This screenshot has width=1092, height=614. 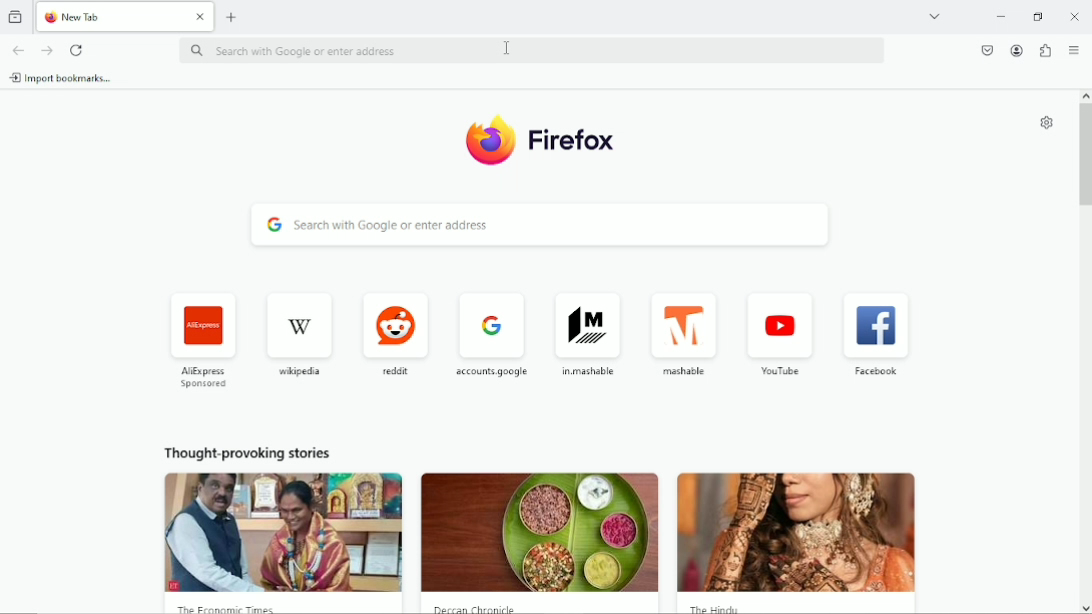 I want to click on extensions, so click(x=1047, y=49).